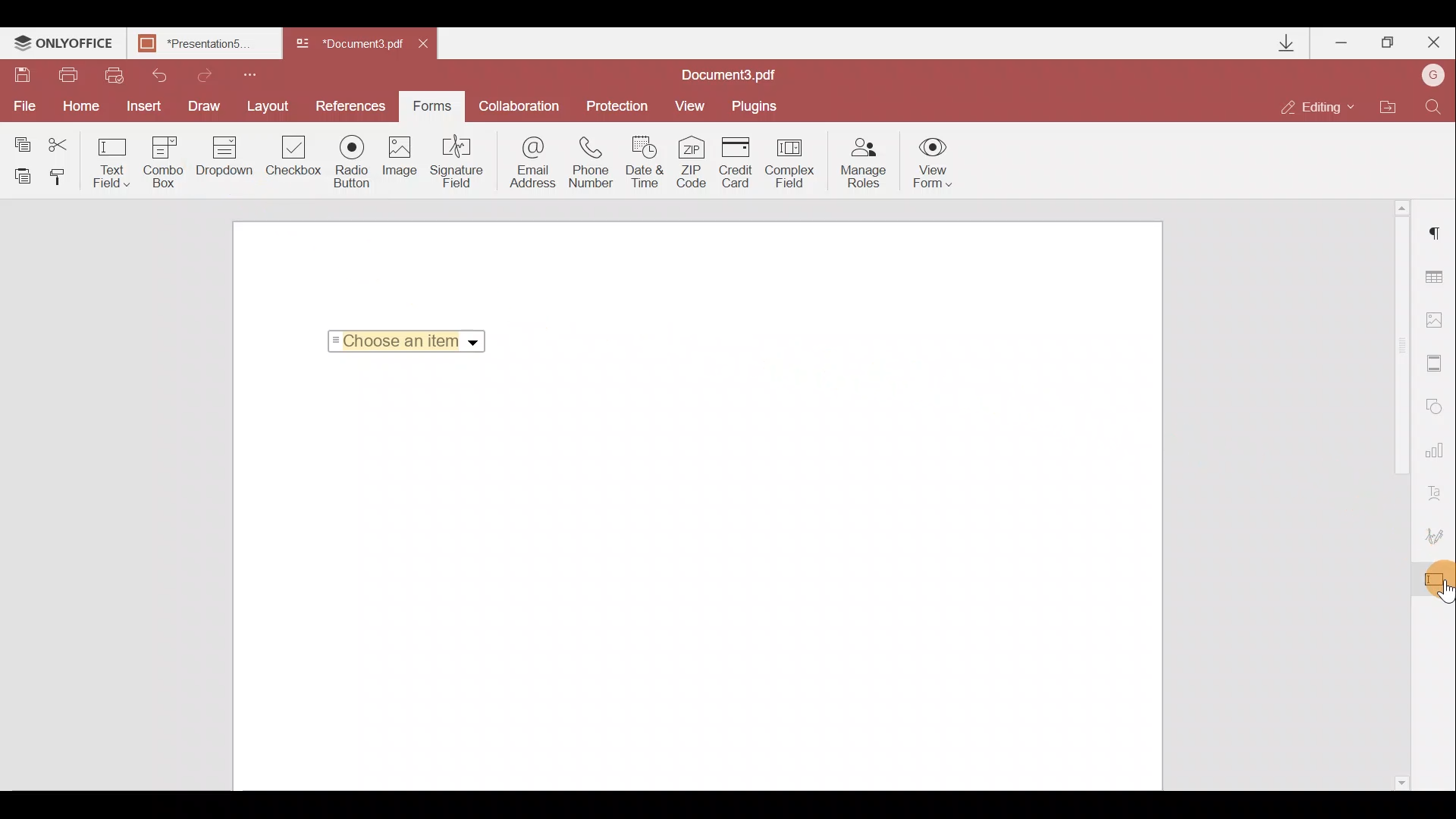  I want to click on Copy, so click(18, 139).